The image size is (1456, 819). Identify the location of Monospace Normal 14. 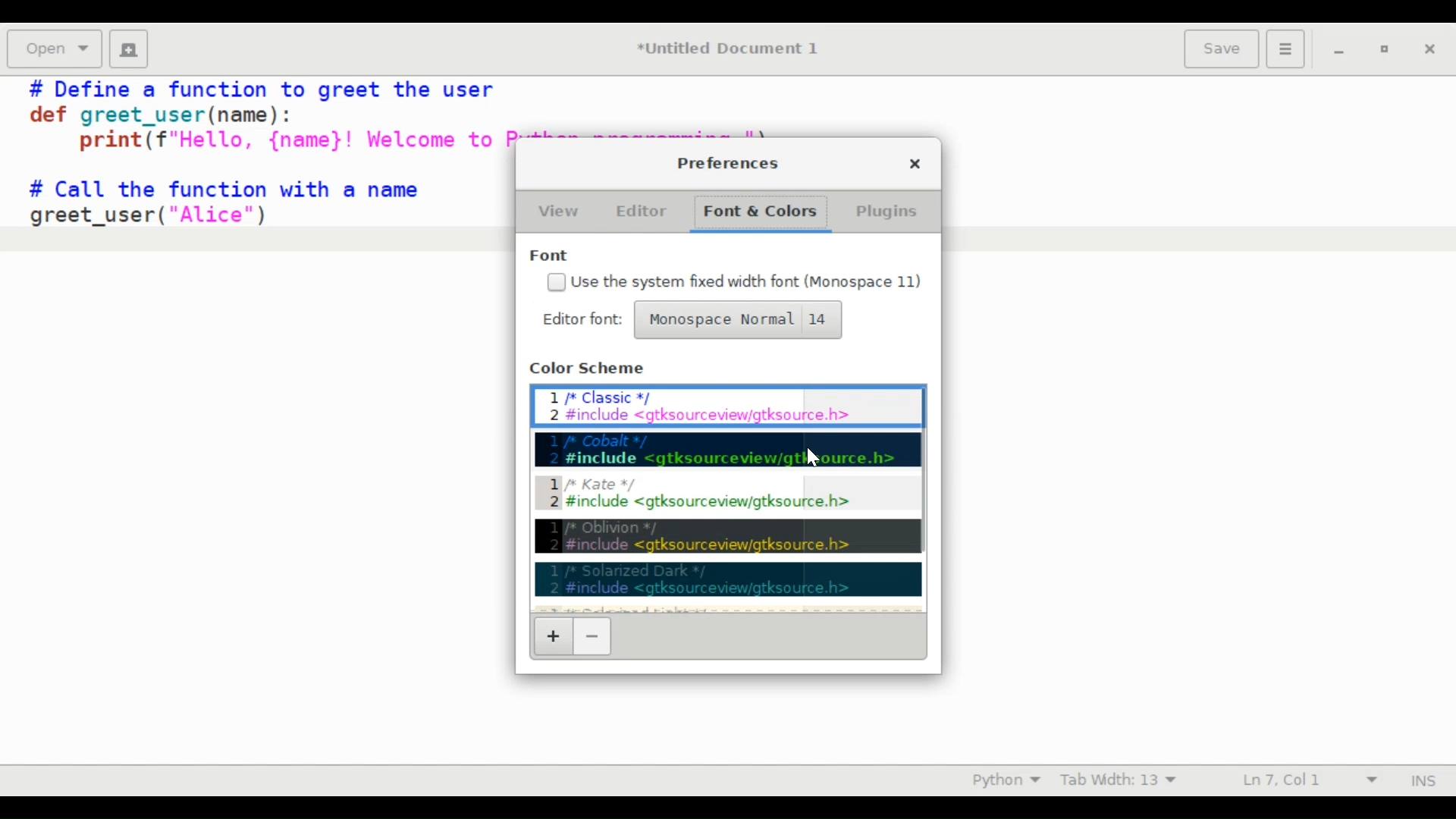
(736, 320).